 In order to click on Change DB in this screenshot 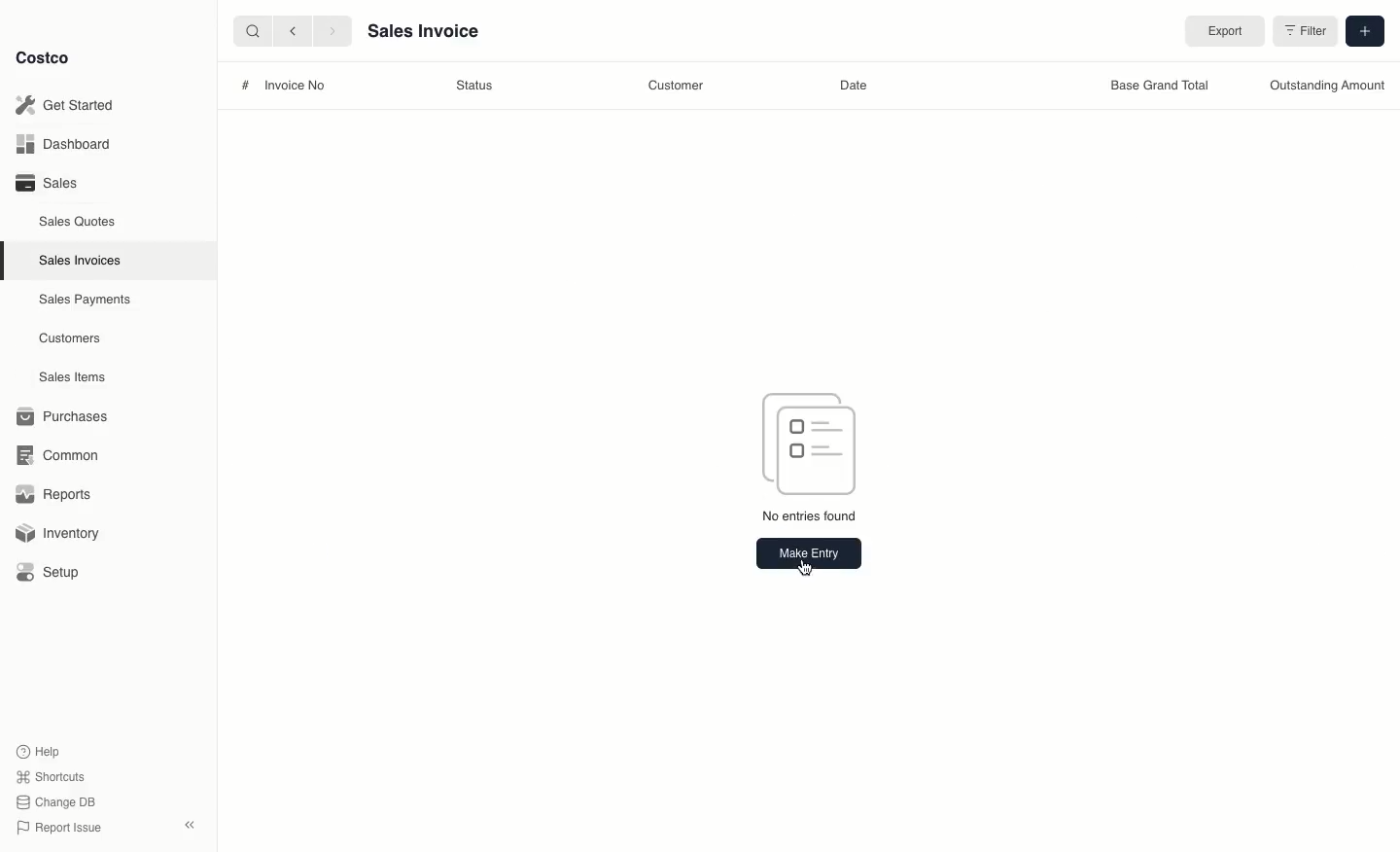, I will do `click(52, 800)`.